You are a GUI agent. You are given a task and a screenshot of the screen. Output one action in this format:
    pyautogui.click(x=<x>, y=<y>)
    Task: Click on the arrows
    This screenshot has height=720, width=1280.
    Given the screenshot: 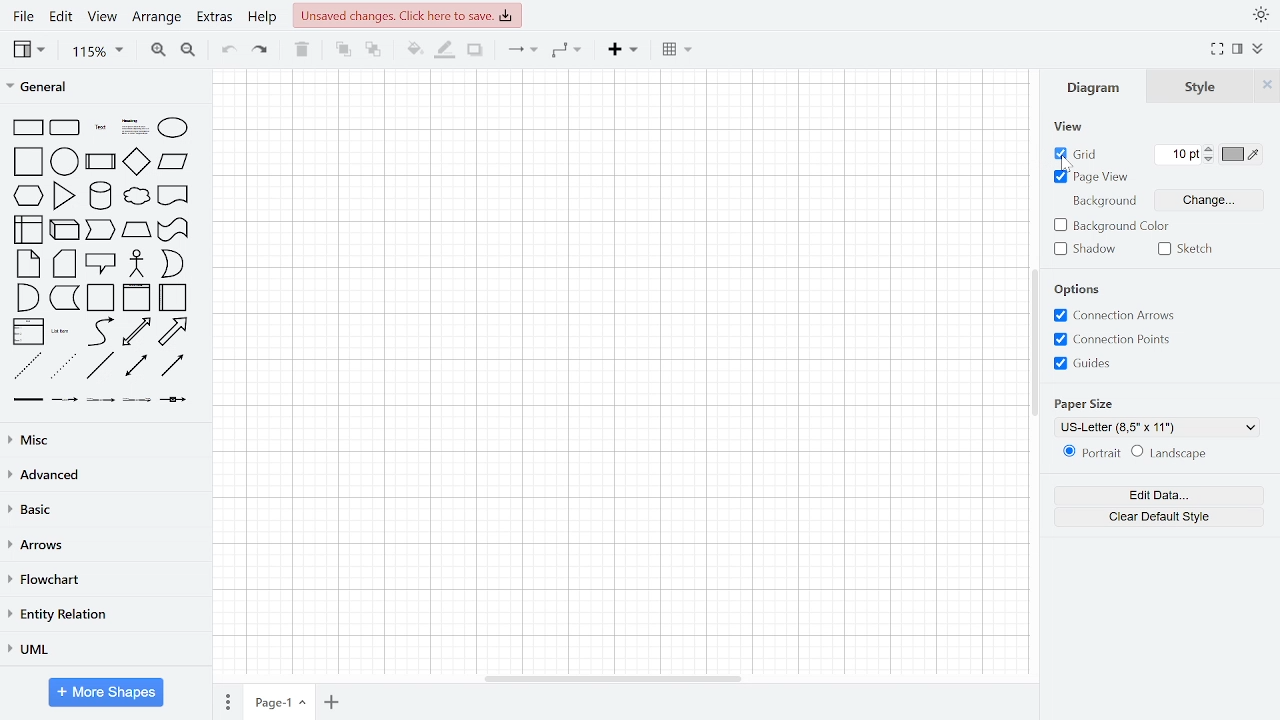 What is the action you would take?
    pyautogui.click(x=102, y=545)
    